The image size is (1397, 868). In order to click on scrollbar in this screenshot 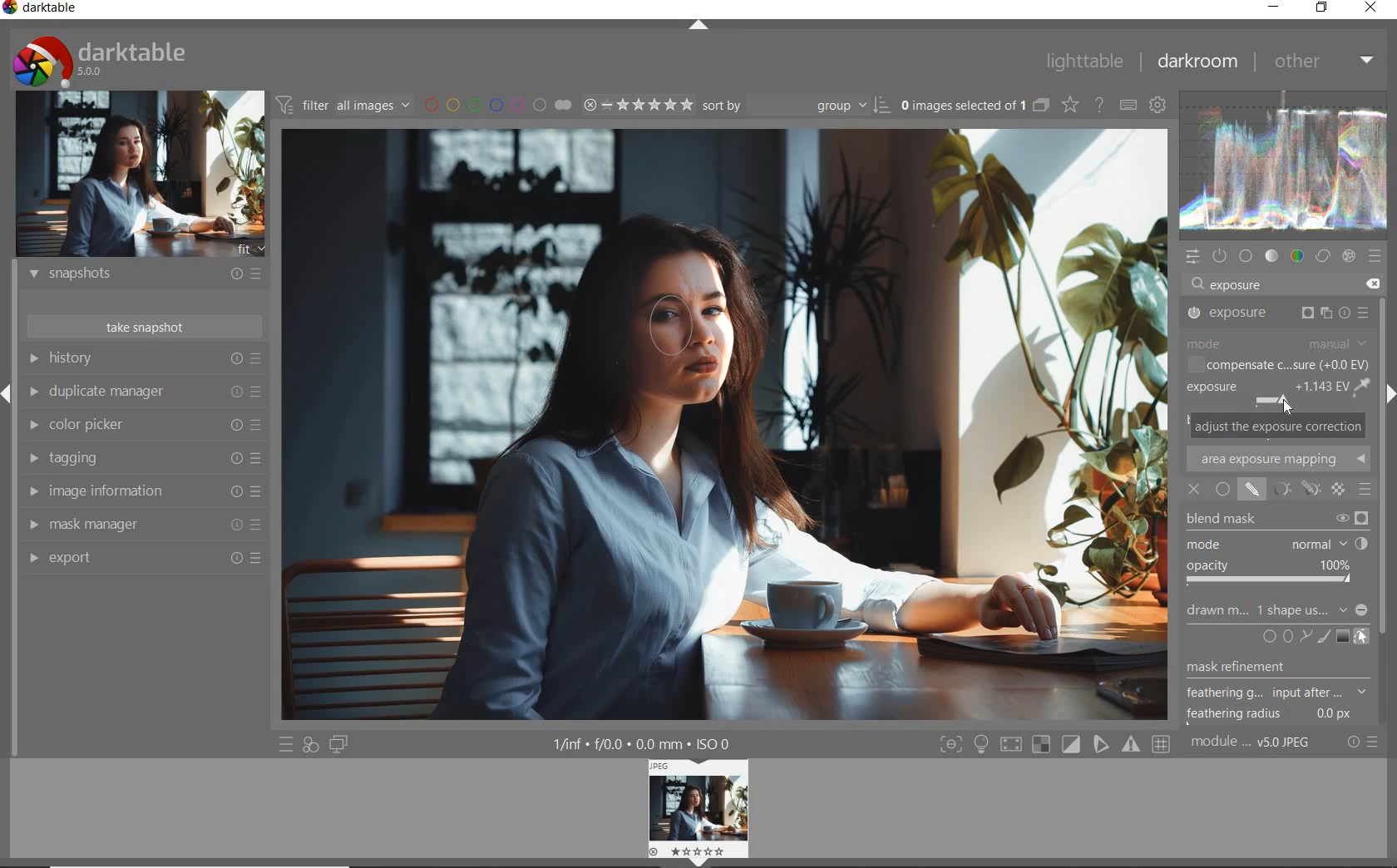, I will do `click(1387, 512)`.